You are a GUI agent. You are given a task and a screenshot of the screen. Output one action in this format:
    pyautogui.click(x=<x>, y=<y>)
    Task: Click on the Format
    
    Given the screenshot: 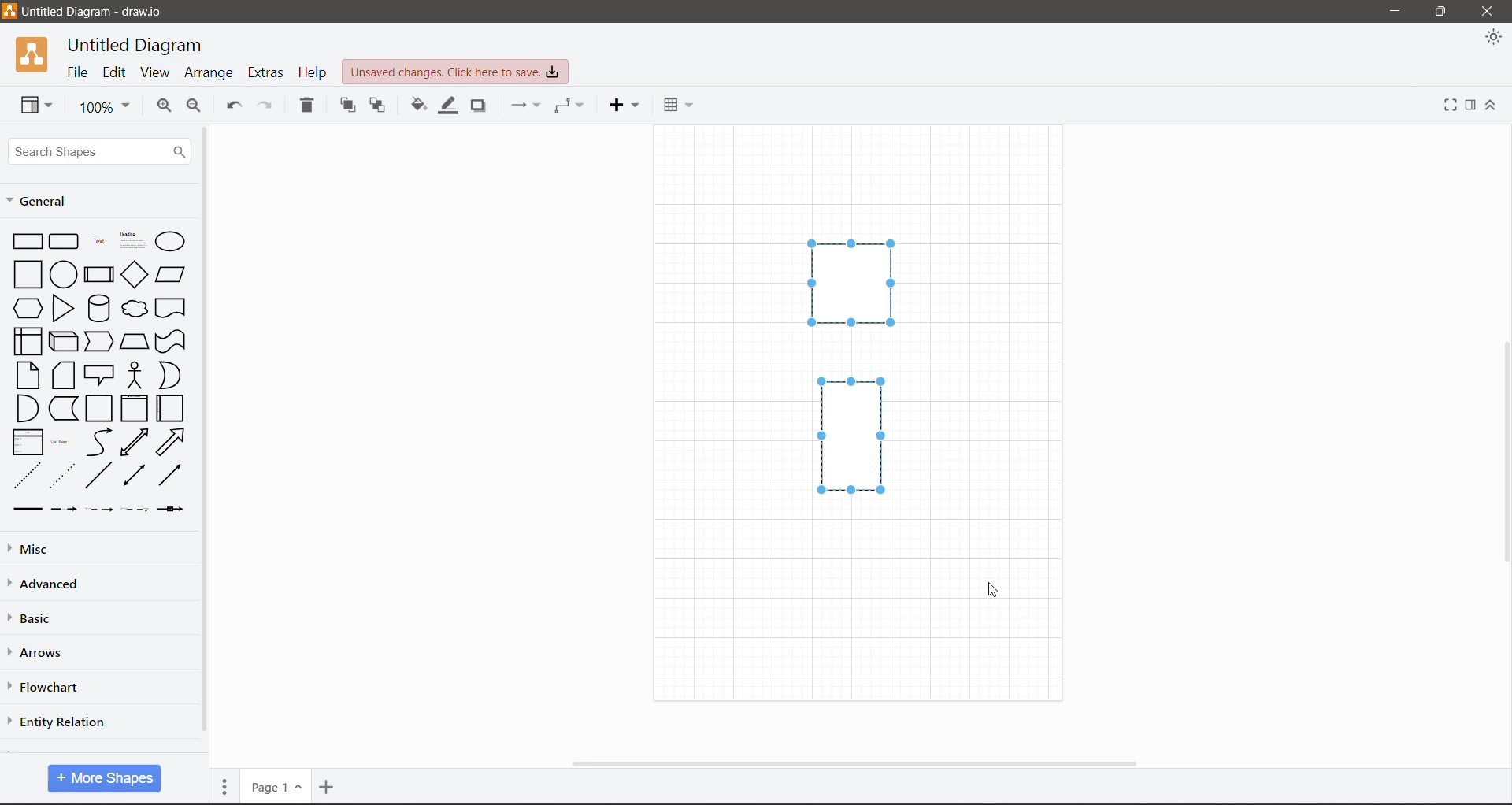 What is the action you would take?
    pyautogui.click(x=1471, y=106)
    